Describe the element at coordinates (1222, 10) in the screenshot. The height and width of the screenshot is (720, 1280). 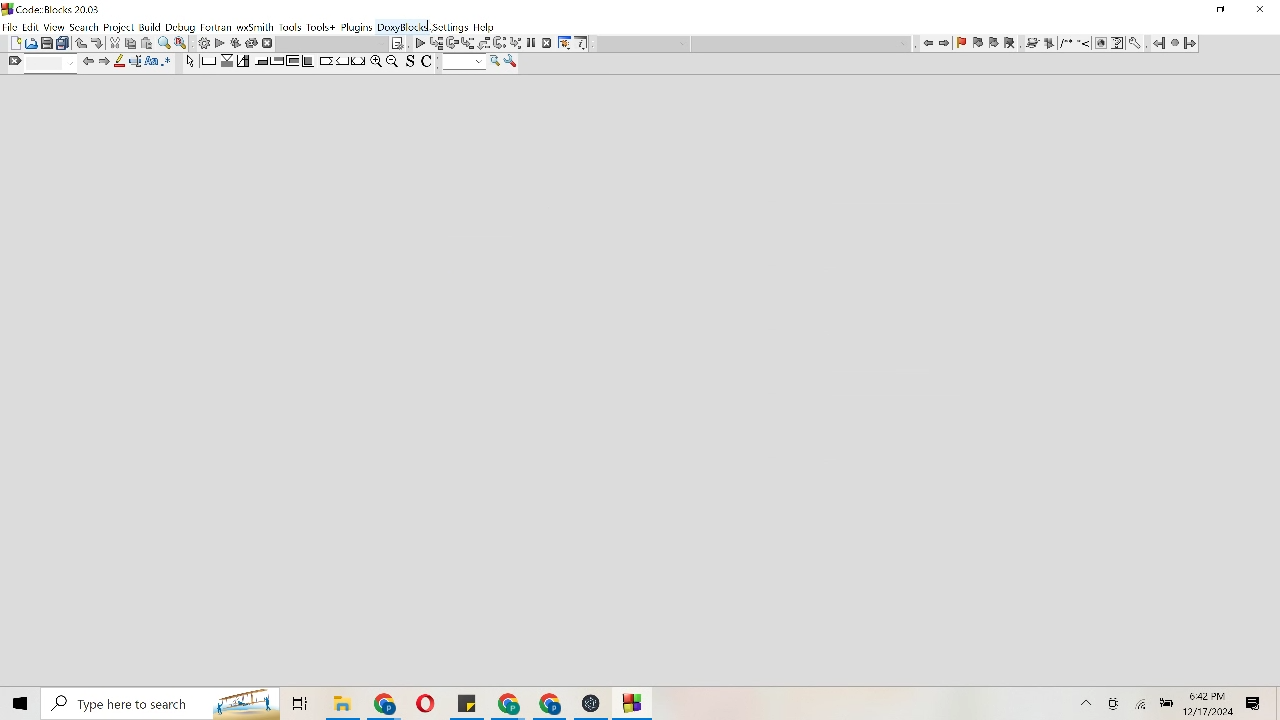
I see `minimize` at that location.